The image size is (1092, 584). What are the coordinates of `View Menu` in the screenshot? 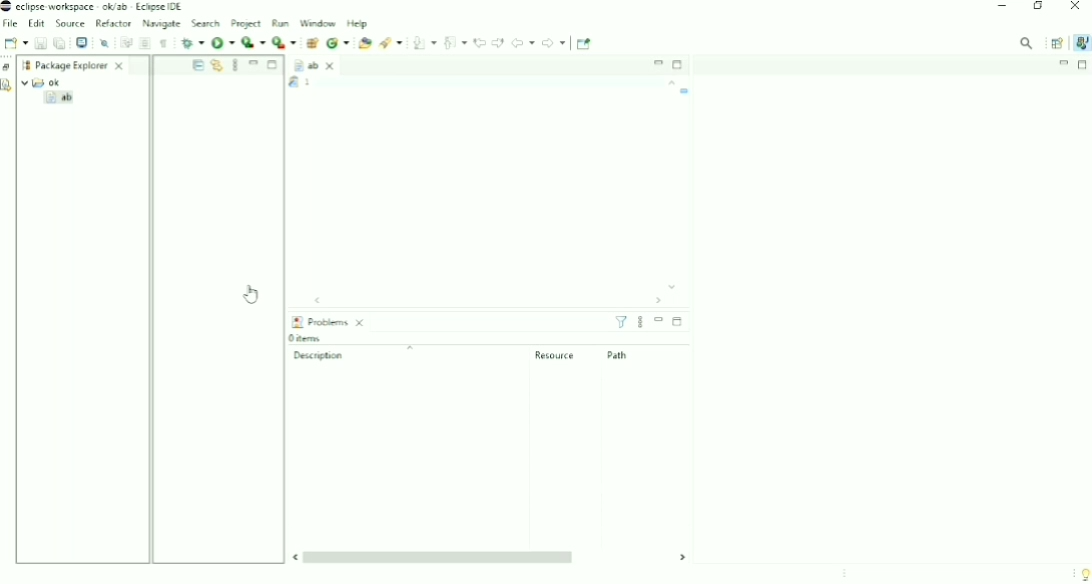 It's located at (235, 65).